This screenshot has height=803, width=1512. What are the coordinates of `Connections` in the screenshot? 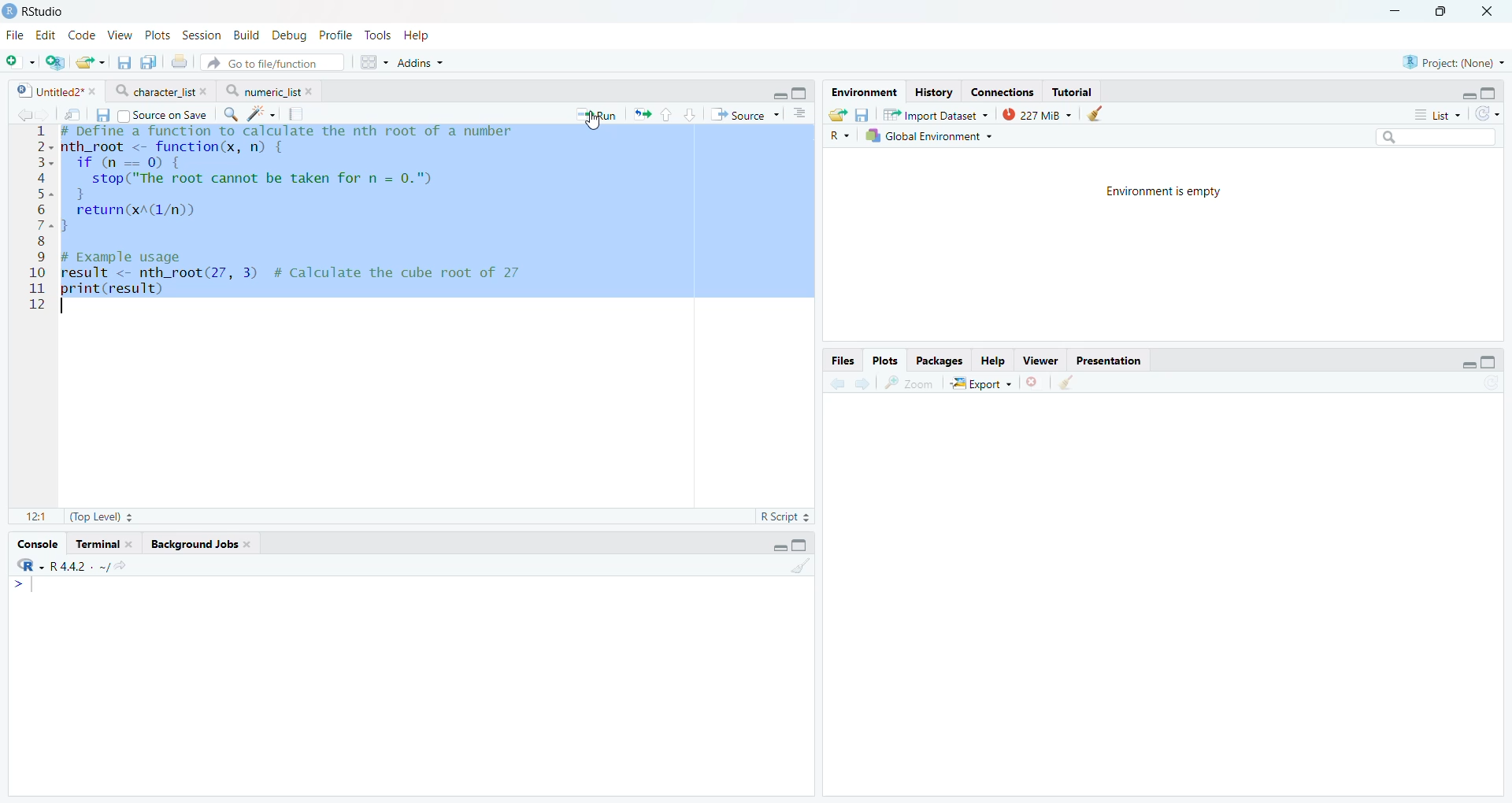 It's located at (1004, 91).